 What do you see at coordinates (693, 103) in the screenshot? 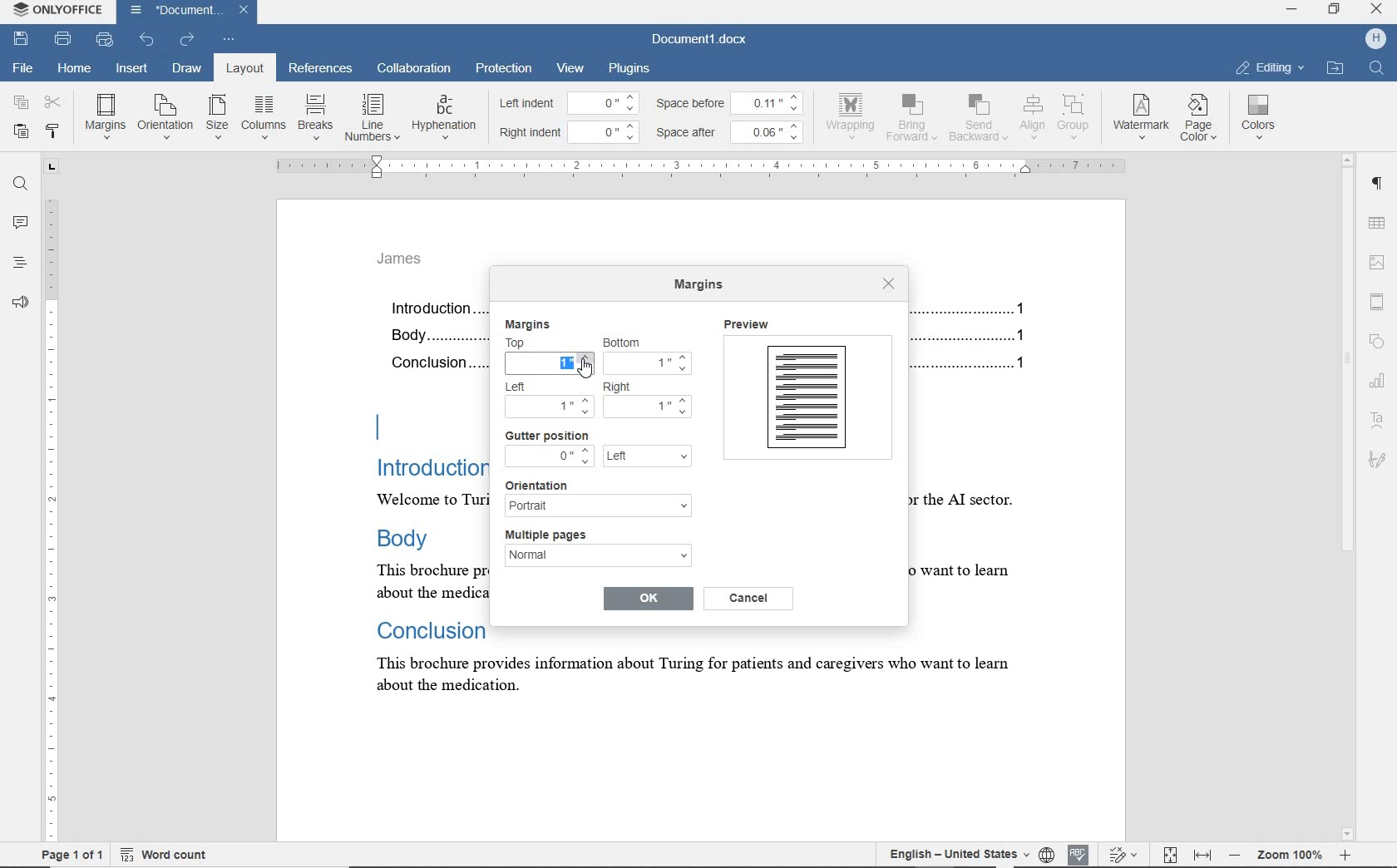
I see `space before` at bounding box center [693, 103].